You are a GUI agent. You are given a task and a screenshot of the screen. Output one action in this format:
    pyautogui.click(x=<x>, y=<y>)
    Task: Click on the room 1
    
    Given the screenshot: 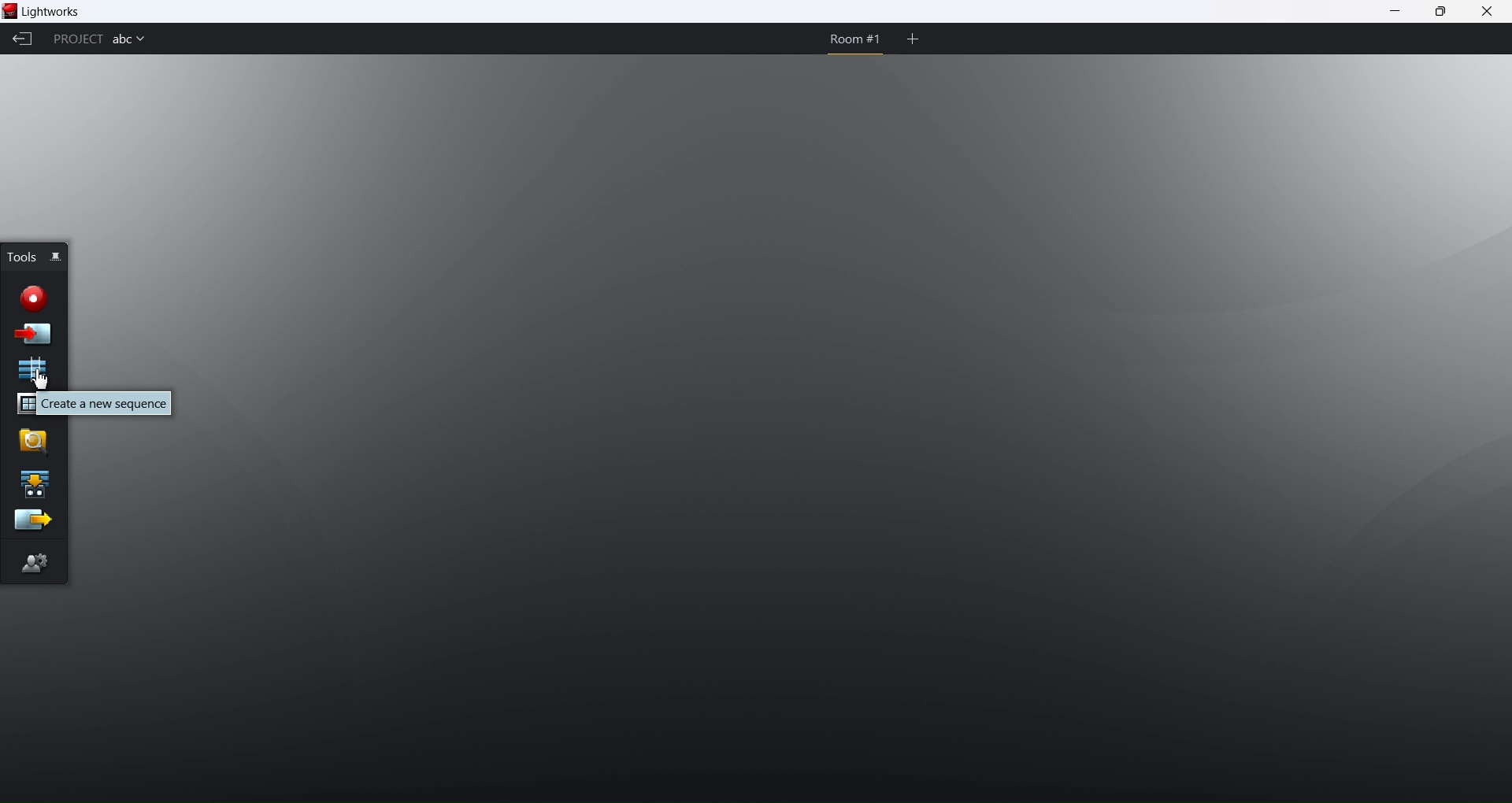 What is the action you would take?
    pyautogui.click(x=849, y=40)
    